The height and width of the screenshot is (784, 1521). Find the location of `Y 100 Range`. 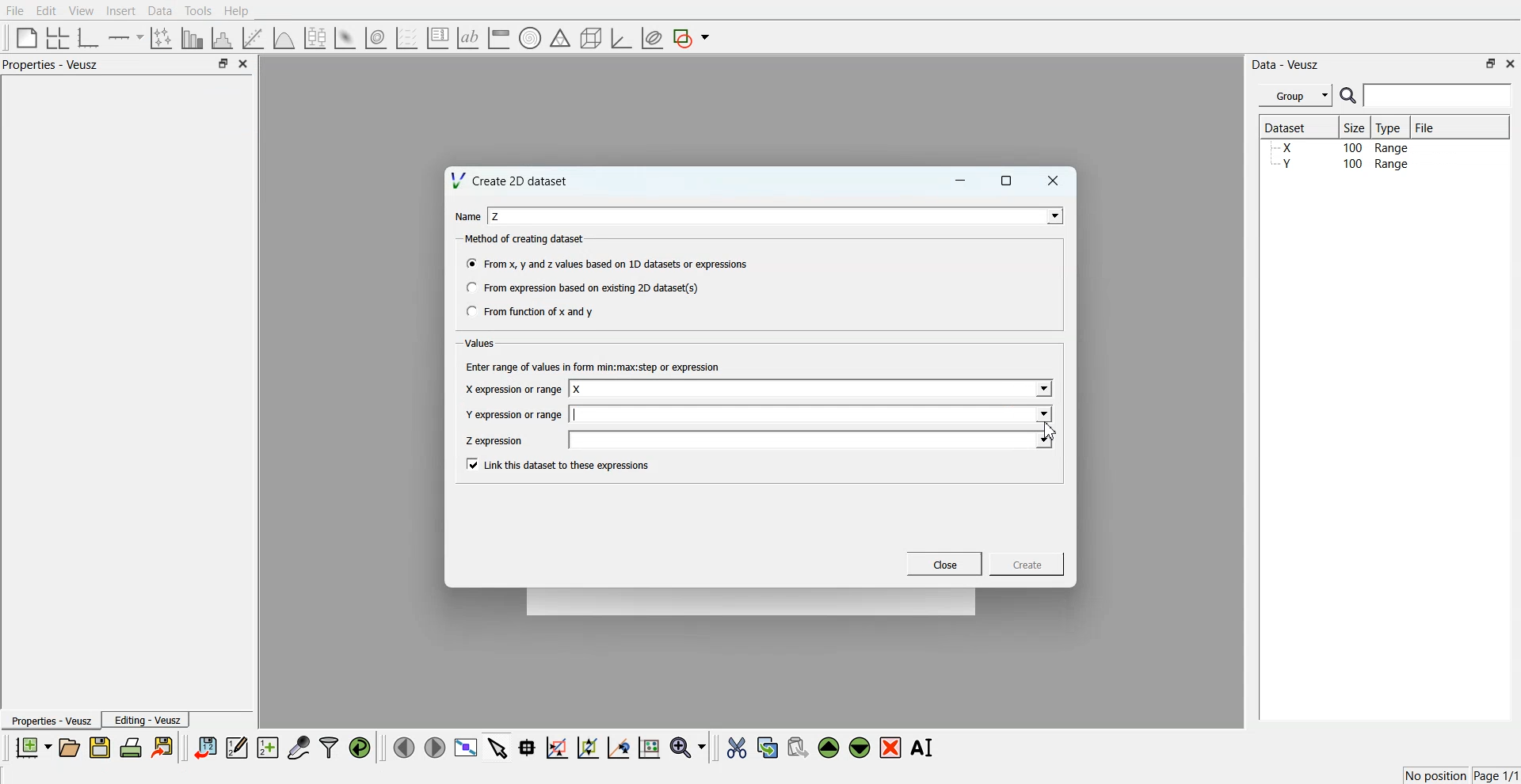

Y 100 Range is located at coordinates (1341, 164).